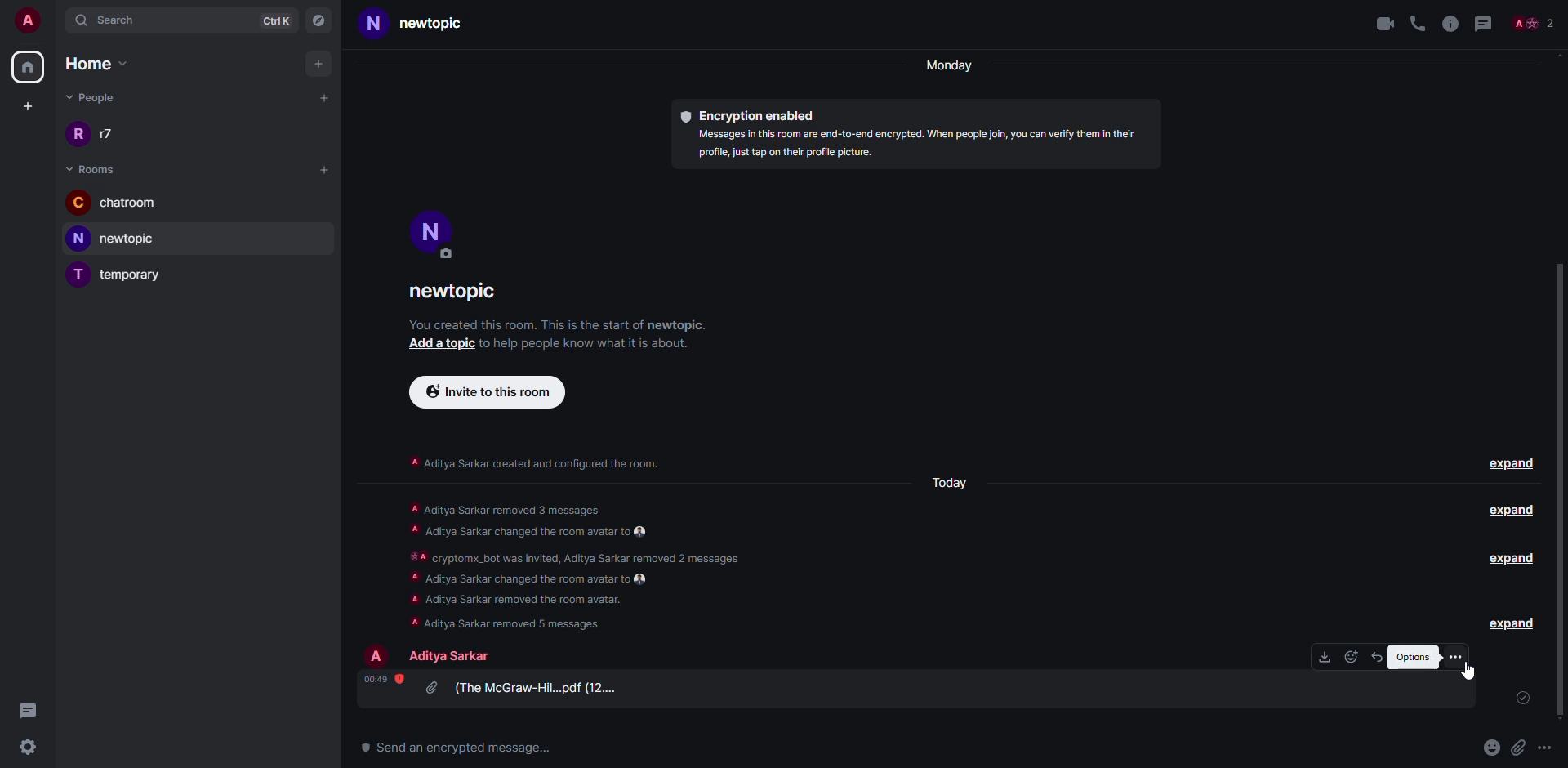 This screenshot has width=1568, height=768. I want to click on temporary, so click(125, 274).